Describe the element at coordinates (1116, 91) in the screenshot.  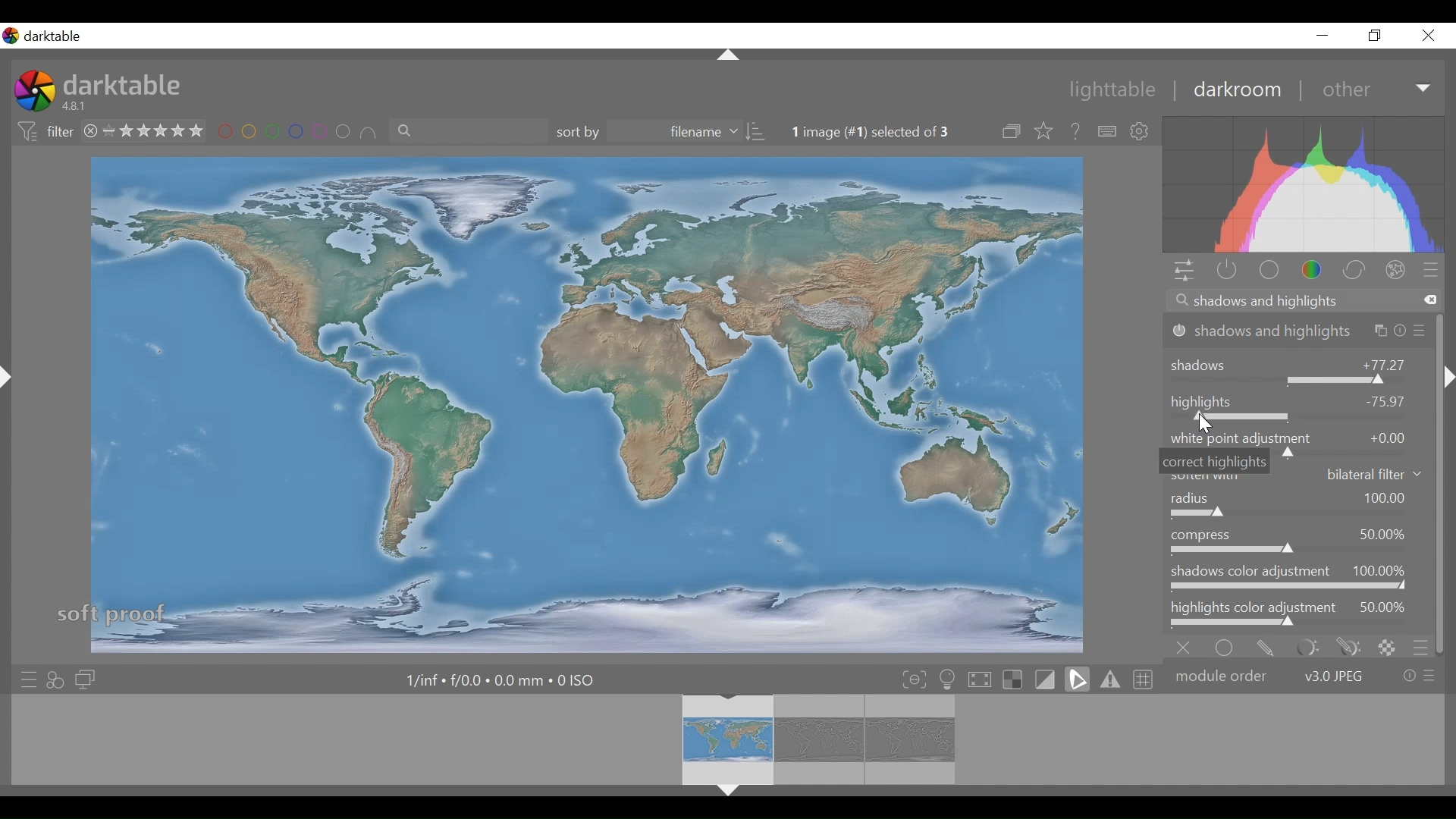
I see `lighttable` at that location.